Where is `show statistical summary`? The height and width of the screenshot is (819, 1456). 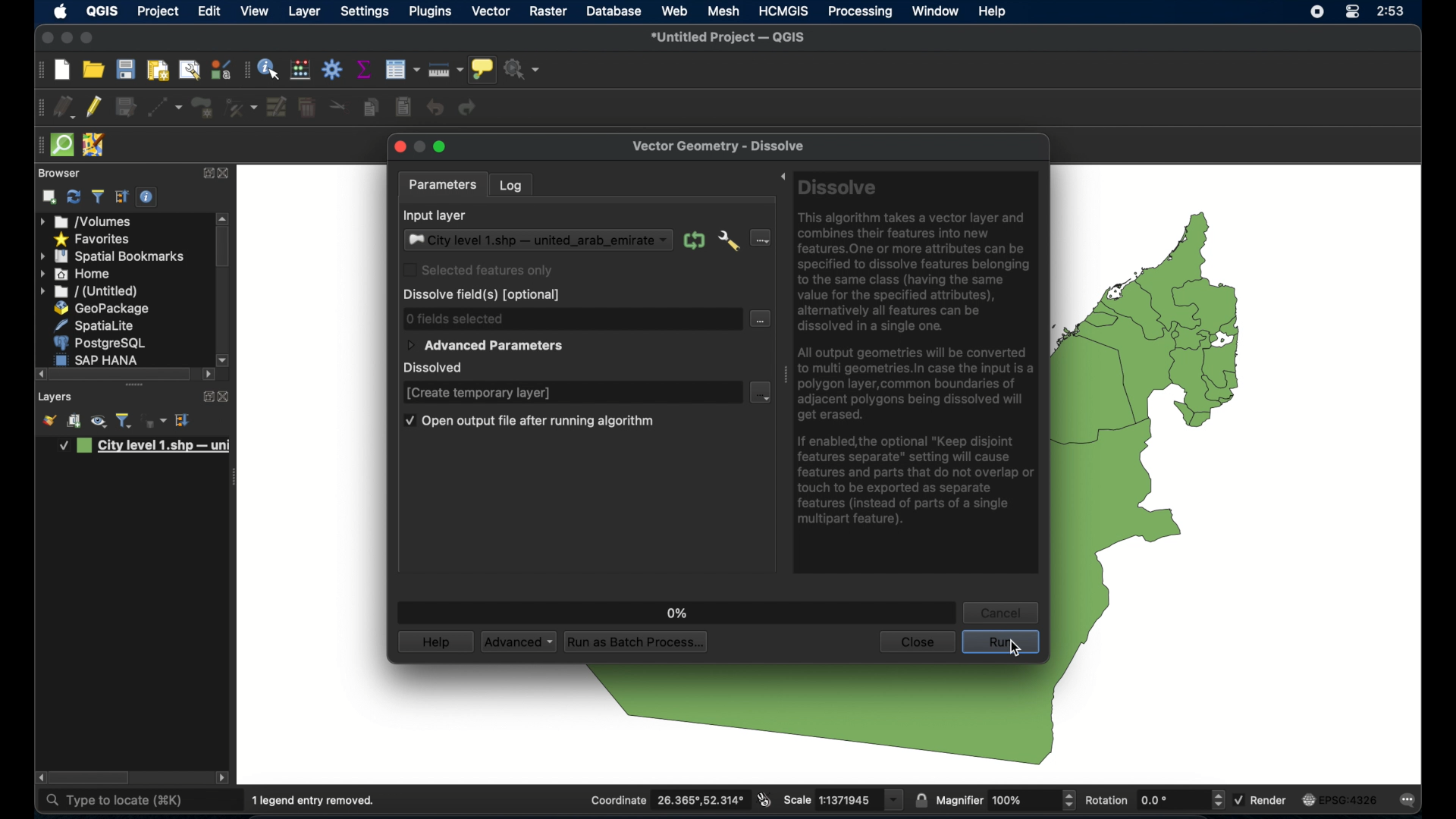 show statistical summary is located at coordinates (365, 70).